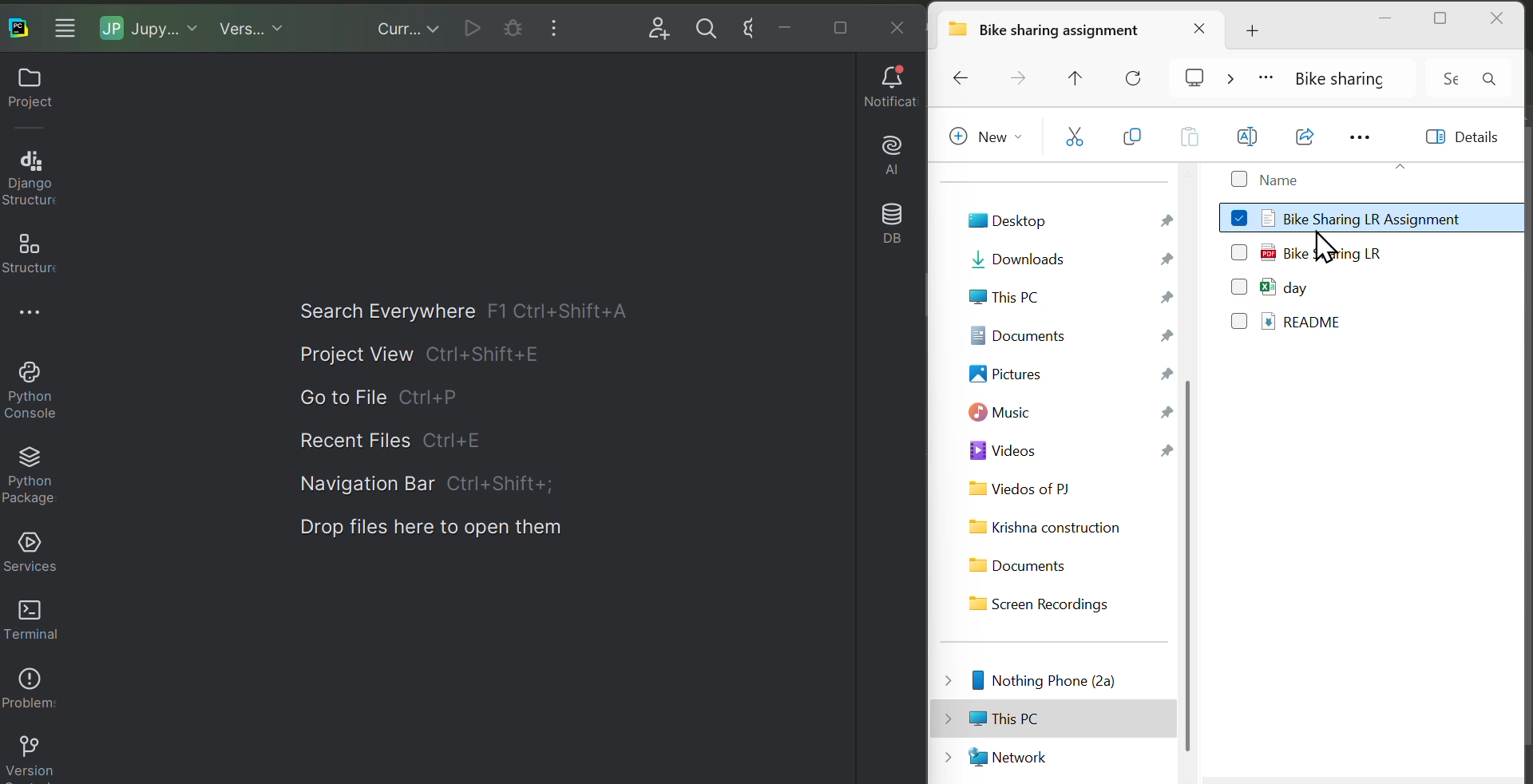  I want to click on AI assistant, so click(885, 151).